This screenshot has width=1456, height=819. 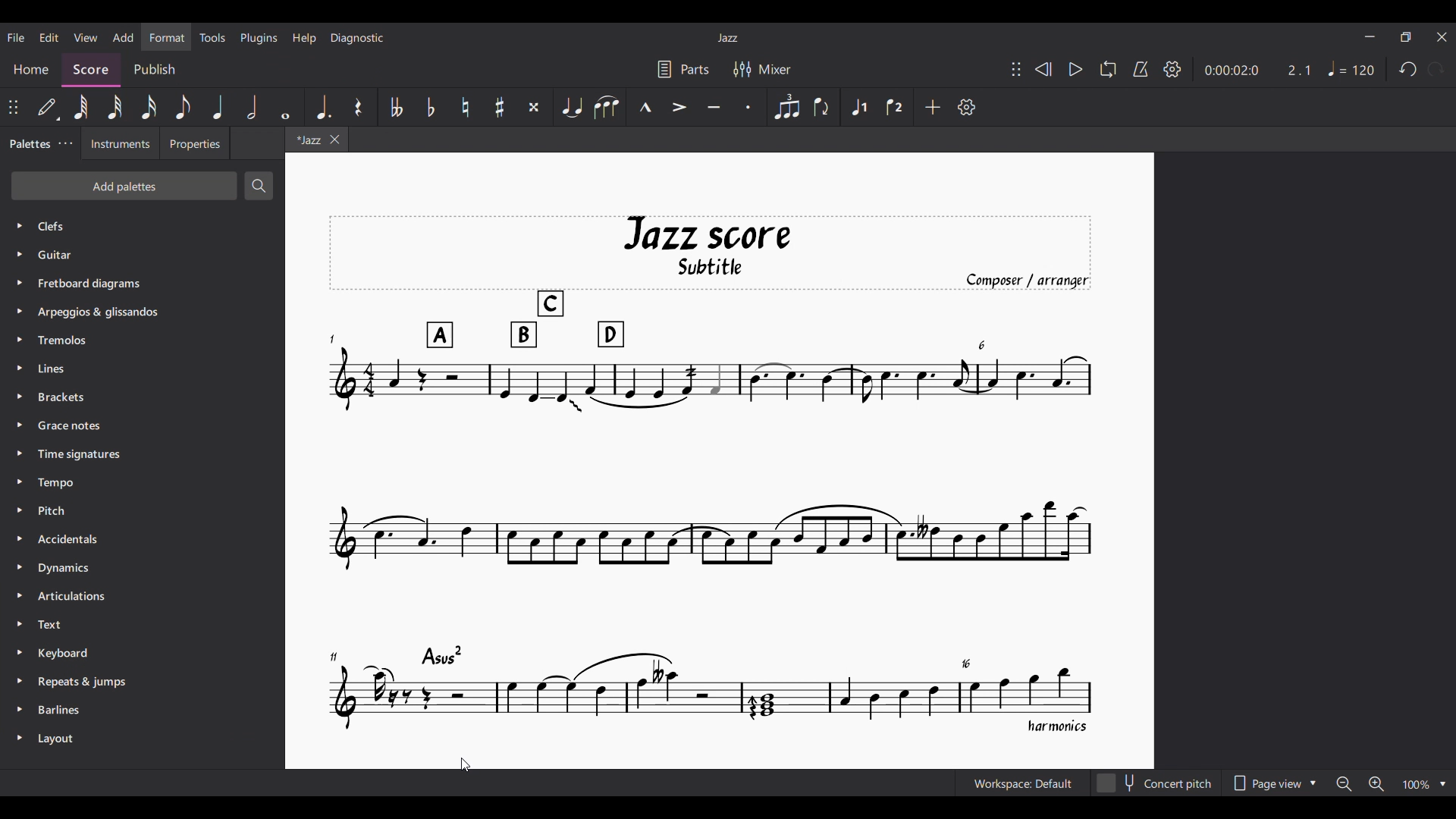 I want to click on Palette options, so click(x=57, y=227).